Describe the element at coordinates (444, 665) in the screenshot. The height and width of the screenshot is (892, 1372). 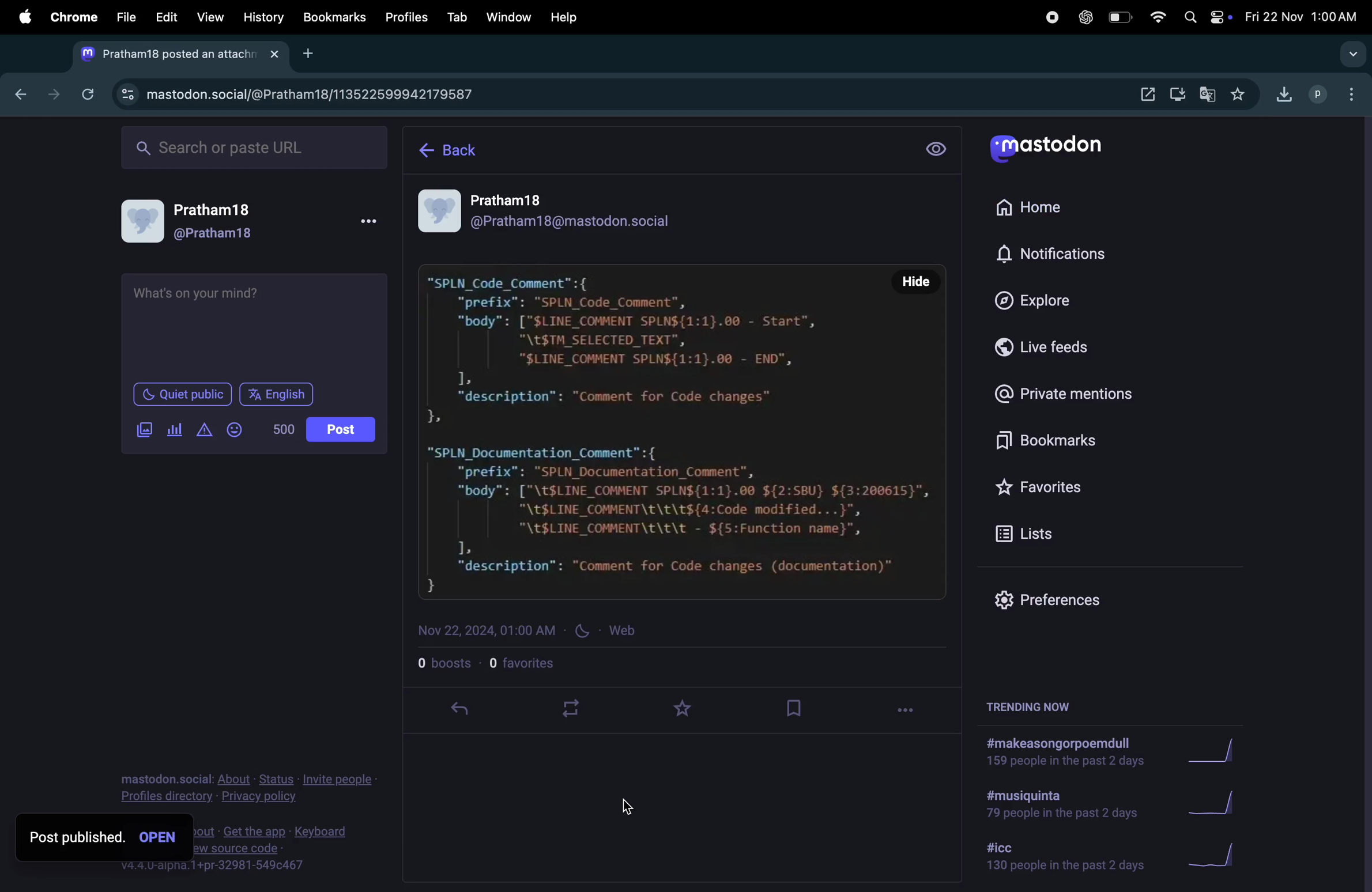
I see `boosts` at that location.